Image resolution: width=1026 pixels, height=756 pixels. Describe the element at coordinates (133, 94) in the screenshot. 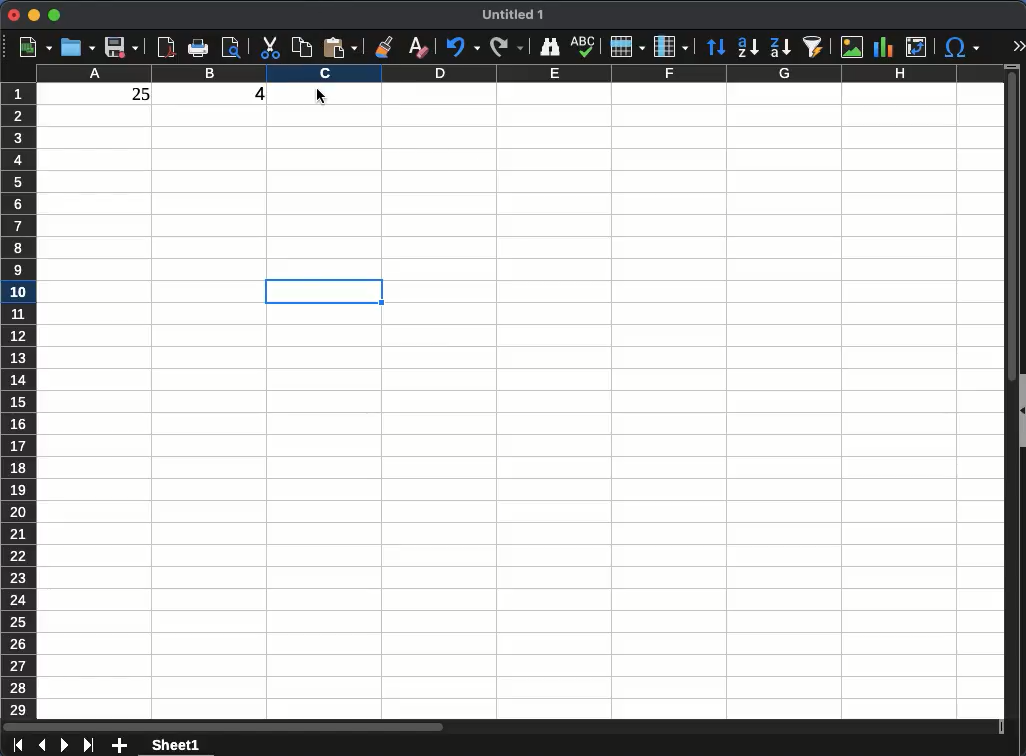

I see `25` at that location.